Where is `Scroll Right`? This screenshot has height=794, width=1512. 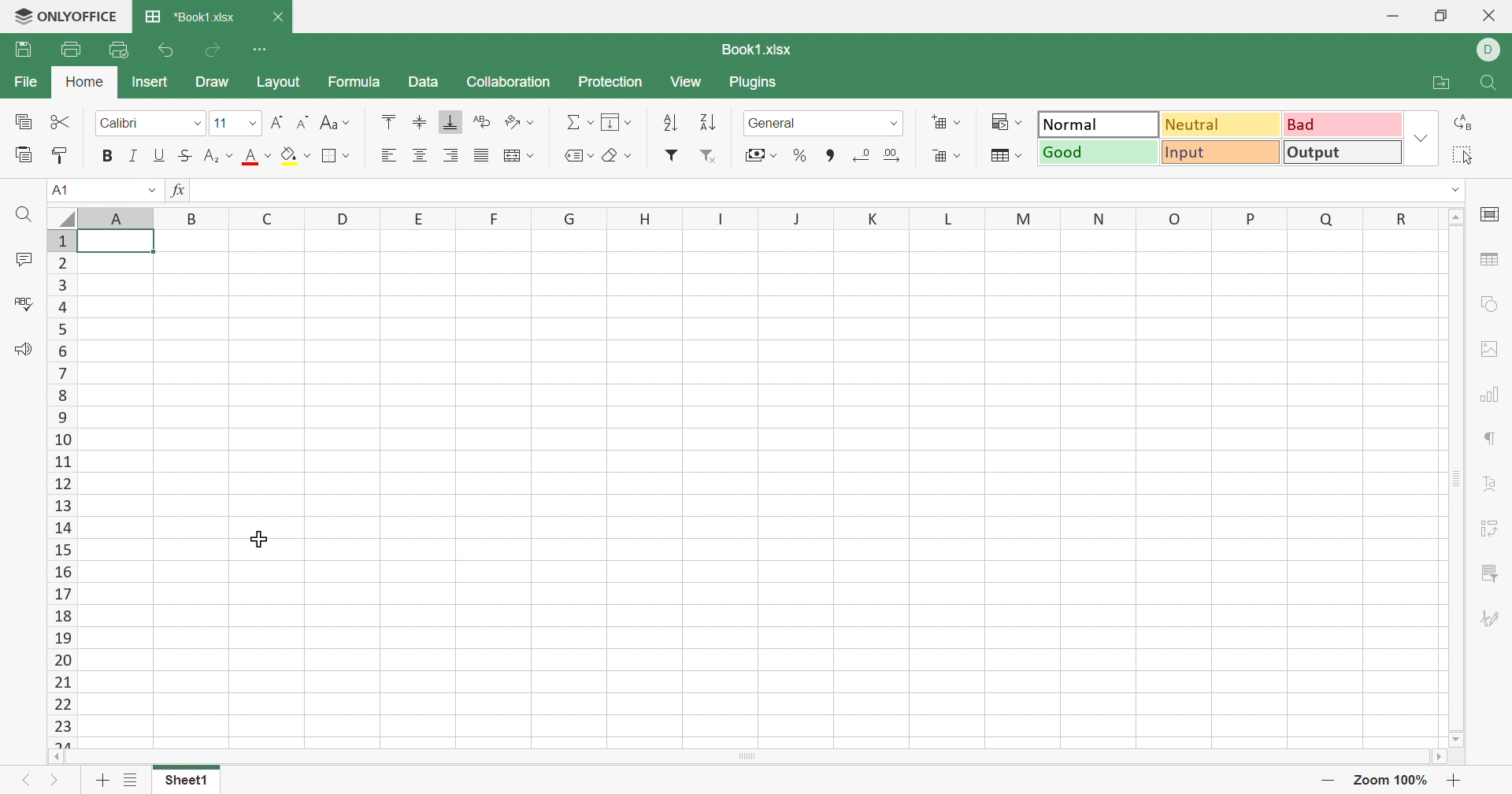
Scroll Right is located at coordinates (1436, 756).